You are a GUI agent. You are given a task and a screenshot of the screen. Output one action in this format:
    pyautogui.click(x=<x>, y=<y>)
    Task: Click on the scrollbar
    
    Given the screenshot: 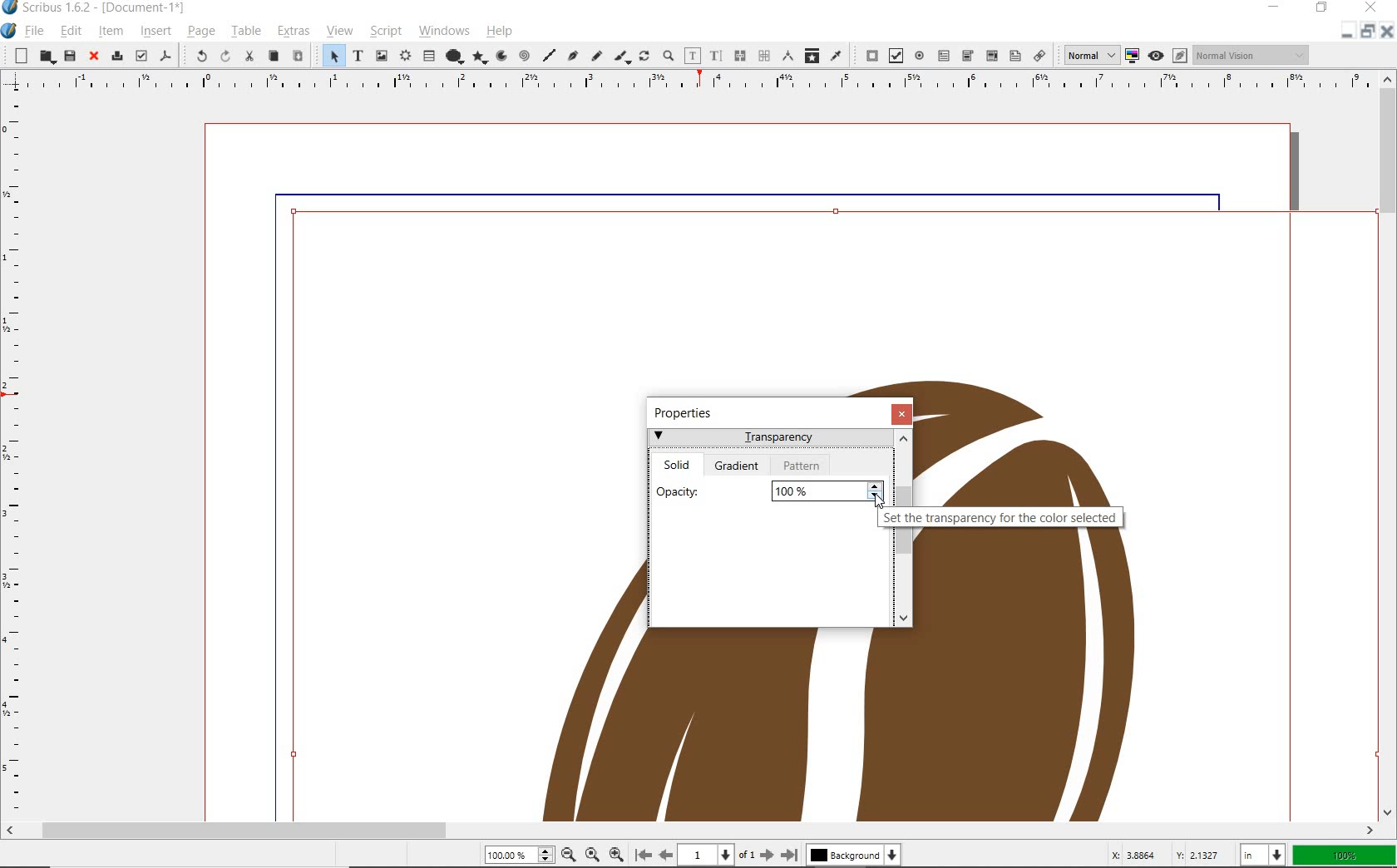 What is the action you would take?
    pyautogui.click(x=690, y=832)
    